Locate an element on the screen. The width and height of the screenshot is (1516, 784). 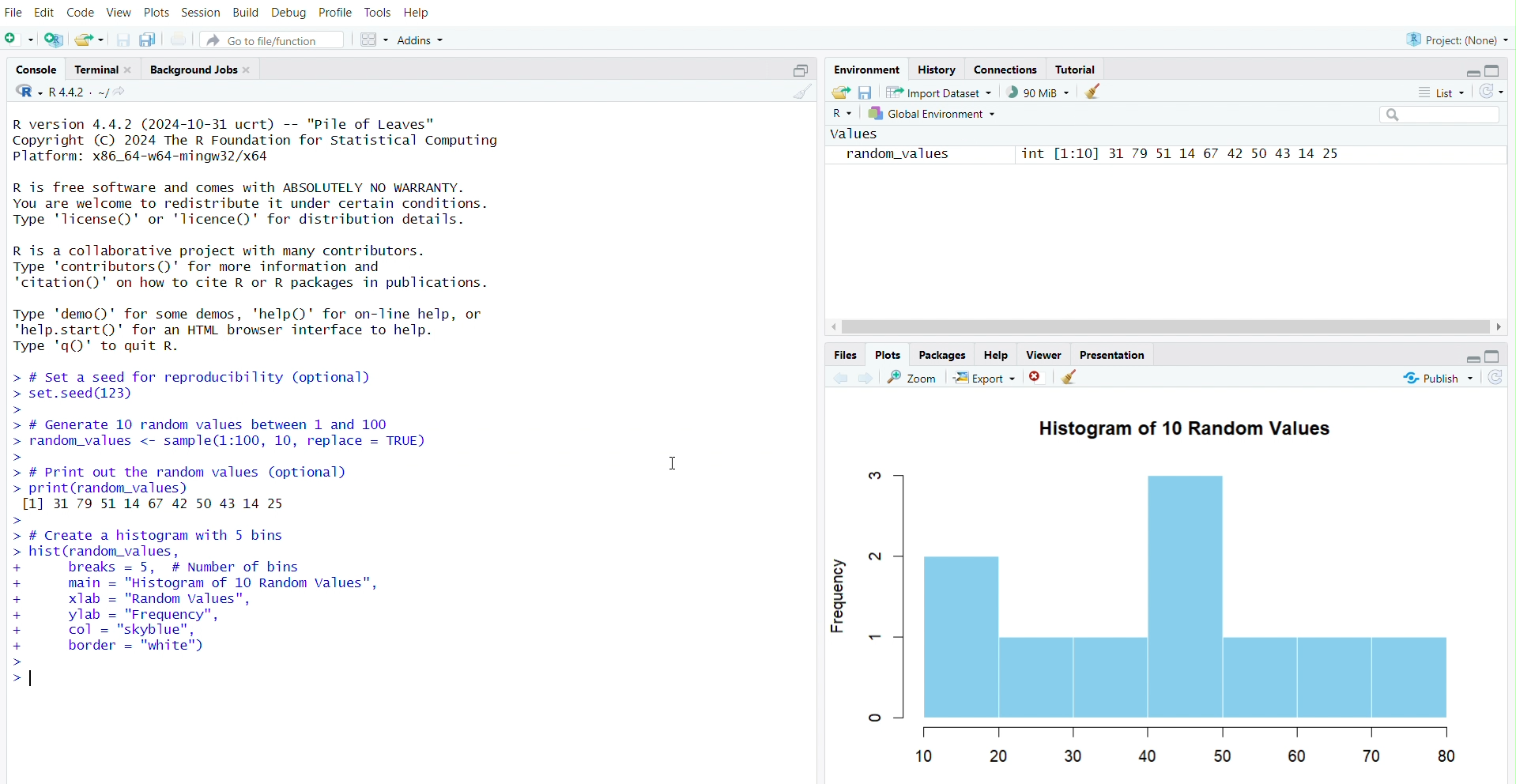
plots is located at coordinates (156, 10).